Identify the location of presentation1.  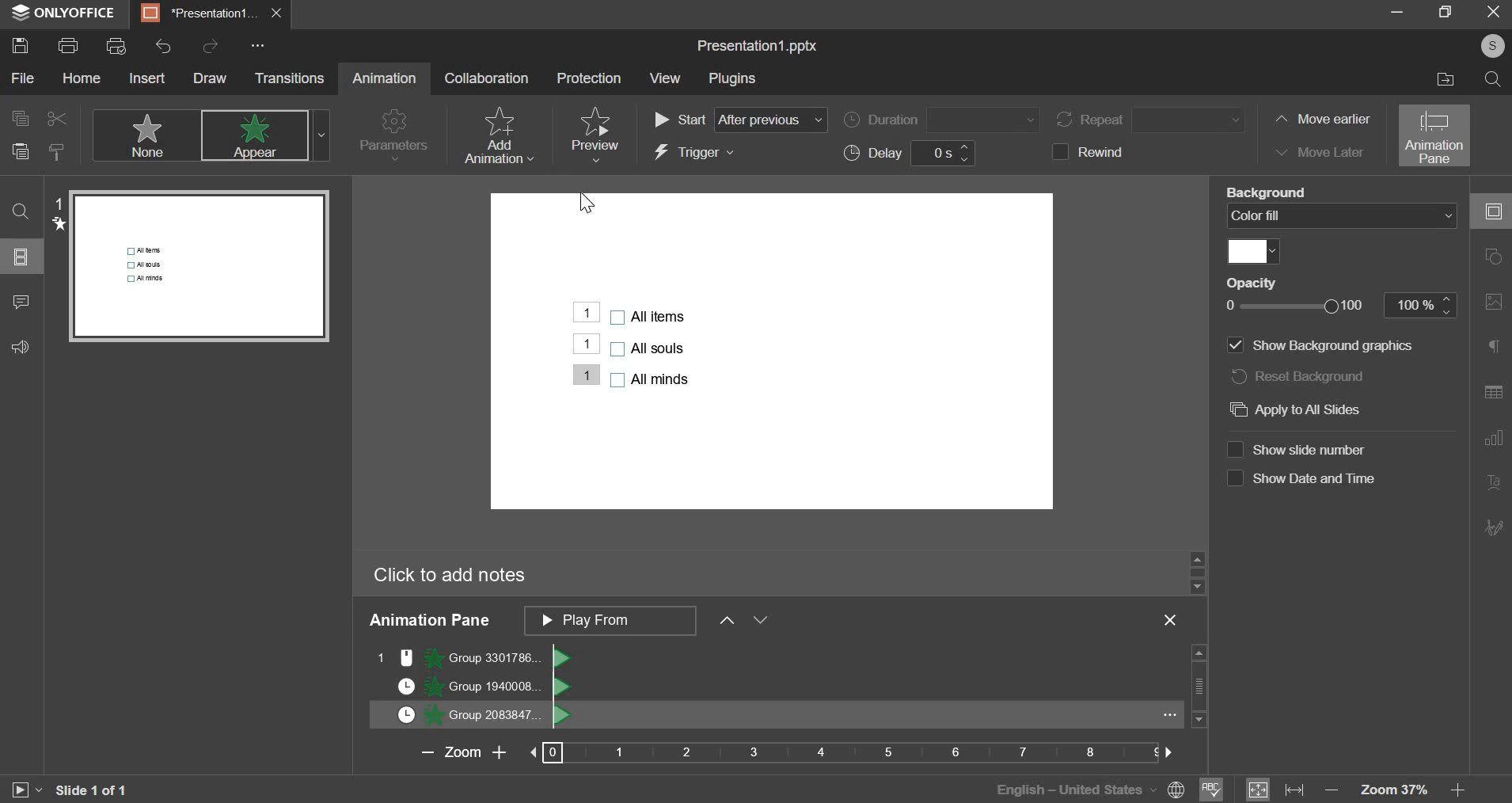
(215, 12).